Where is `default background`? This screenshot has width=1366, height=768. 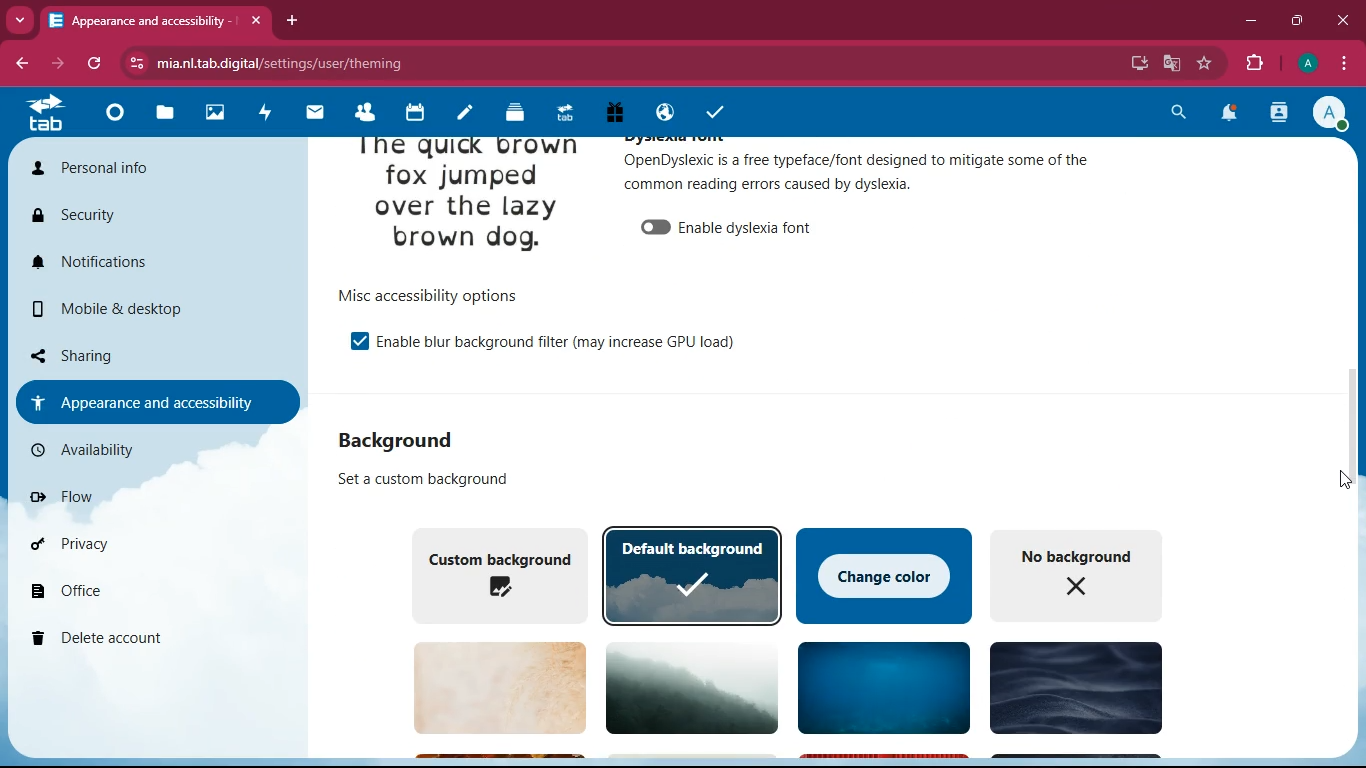 default background is located at coordinates (692, 575).